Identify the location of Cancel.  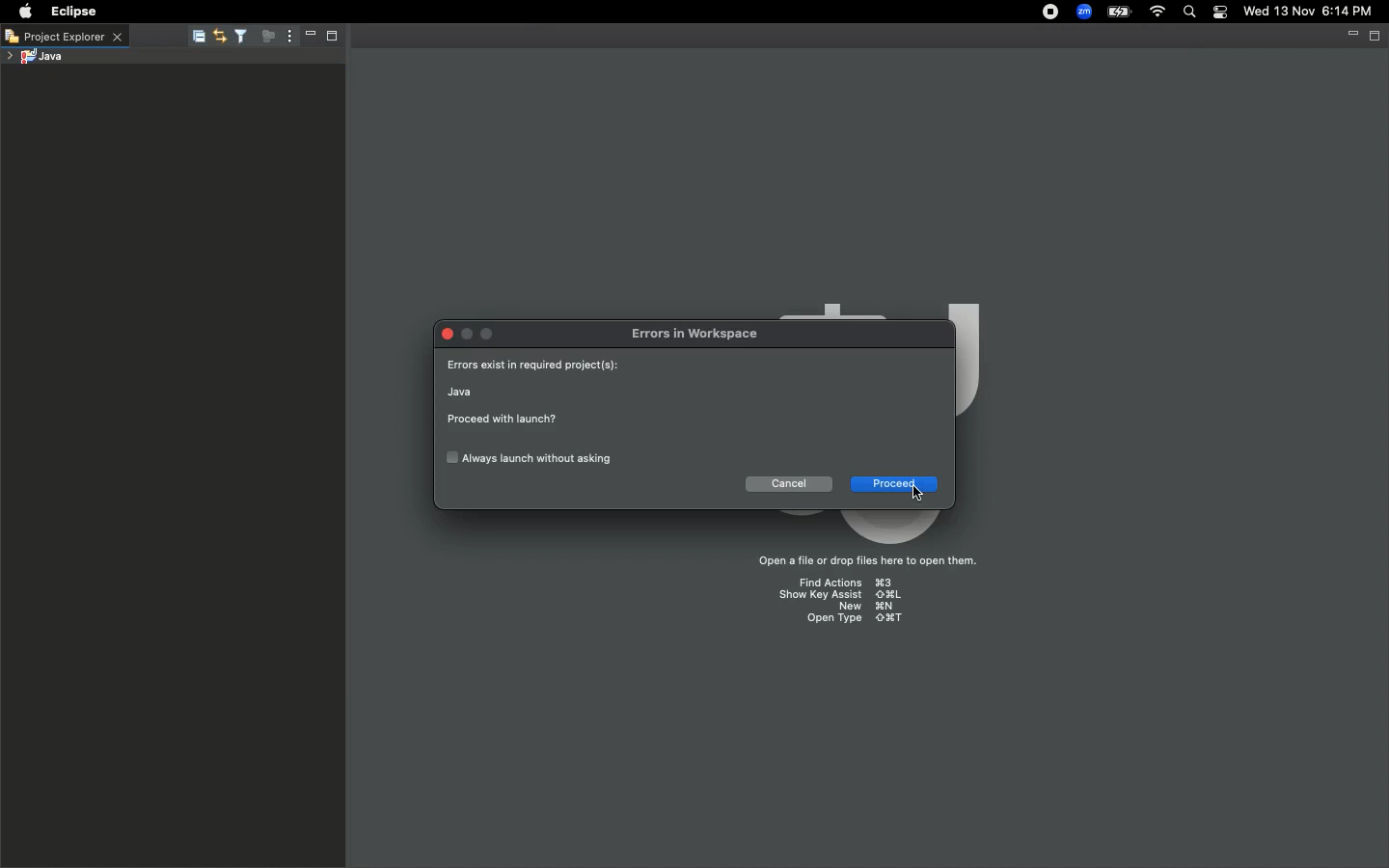
(789, 482).